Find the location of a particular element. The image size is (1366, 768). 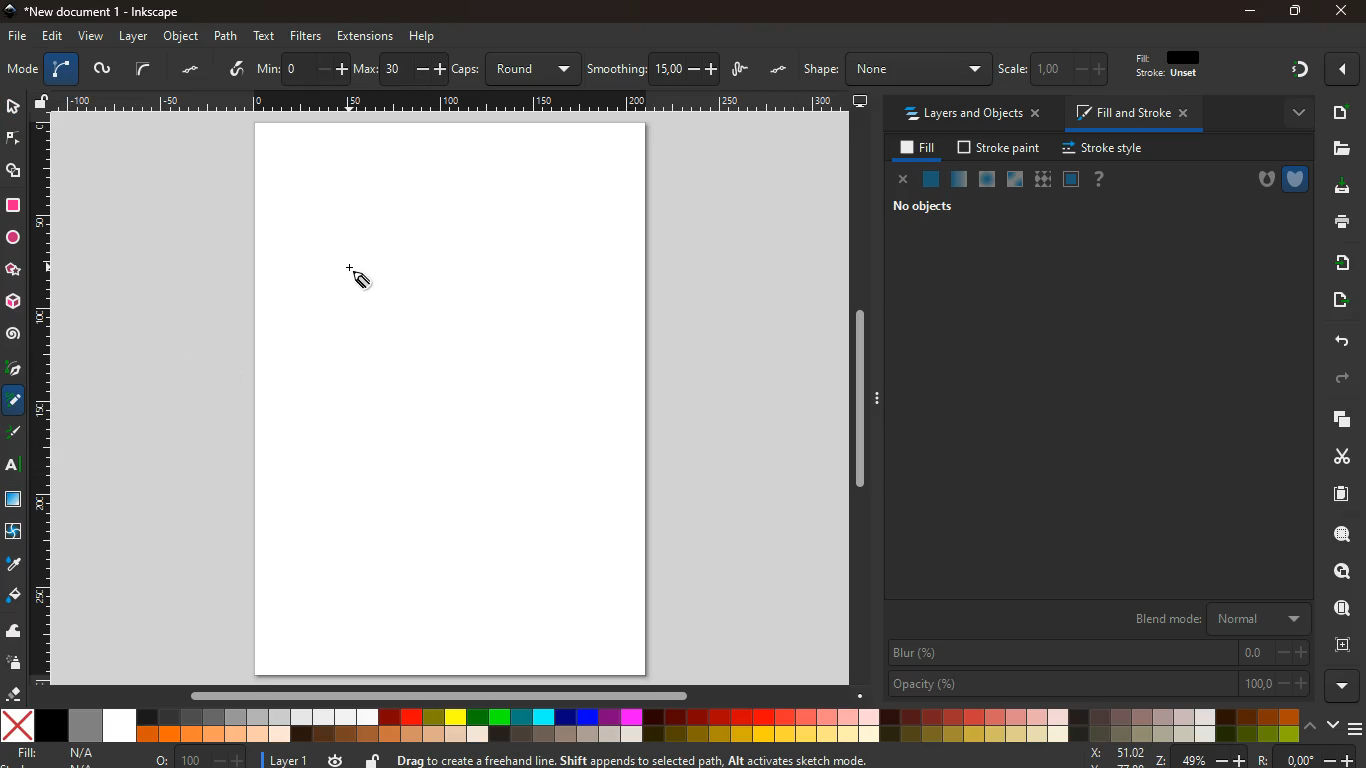

help is located at coordinates (1097, 179).